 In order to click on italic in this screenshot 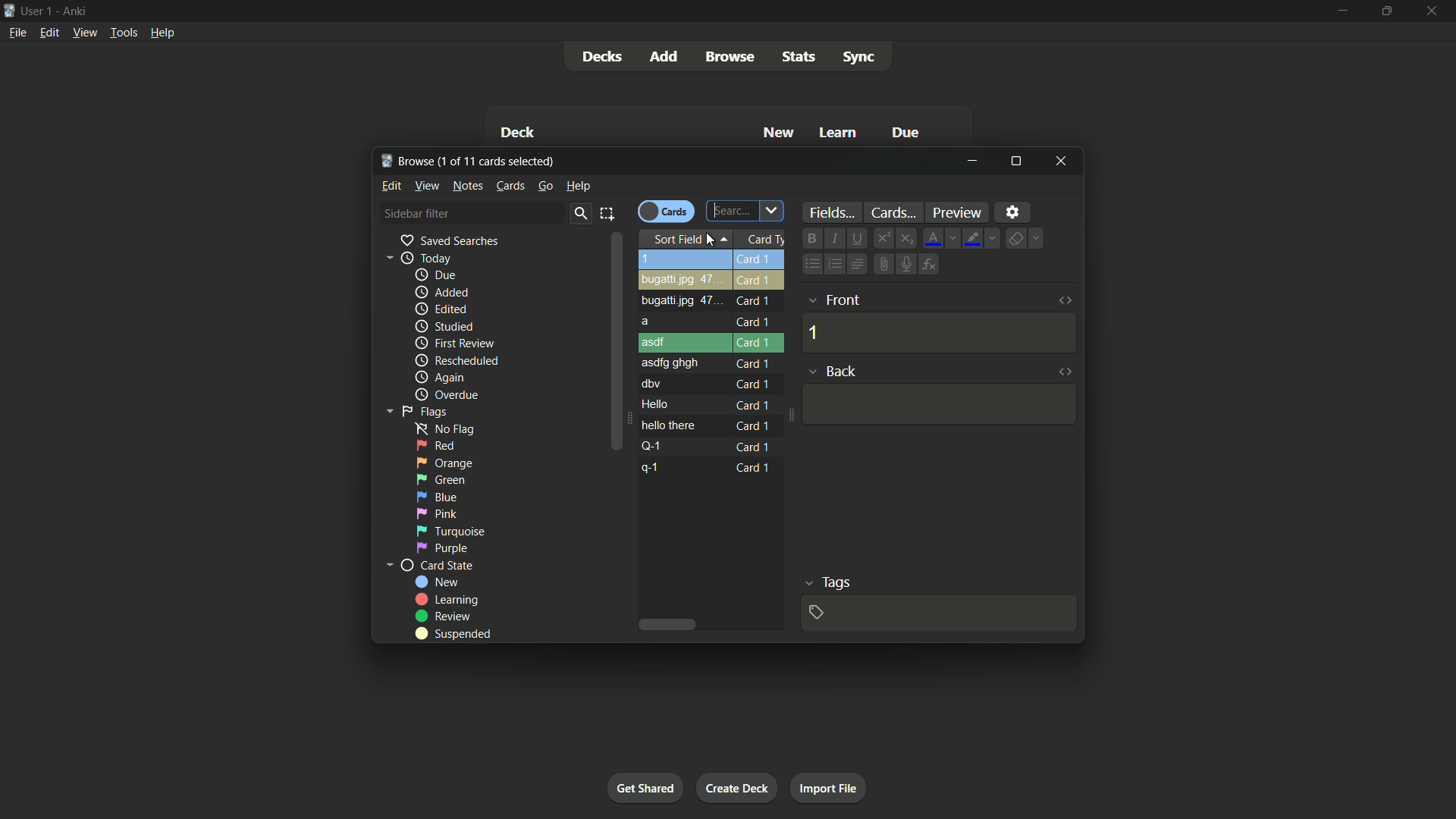, I will do `click(833, 238)`.